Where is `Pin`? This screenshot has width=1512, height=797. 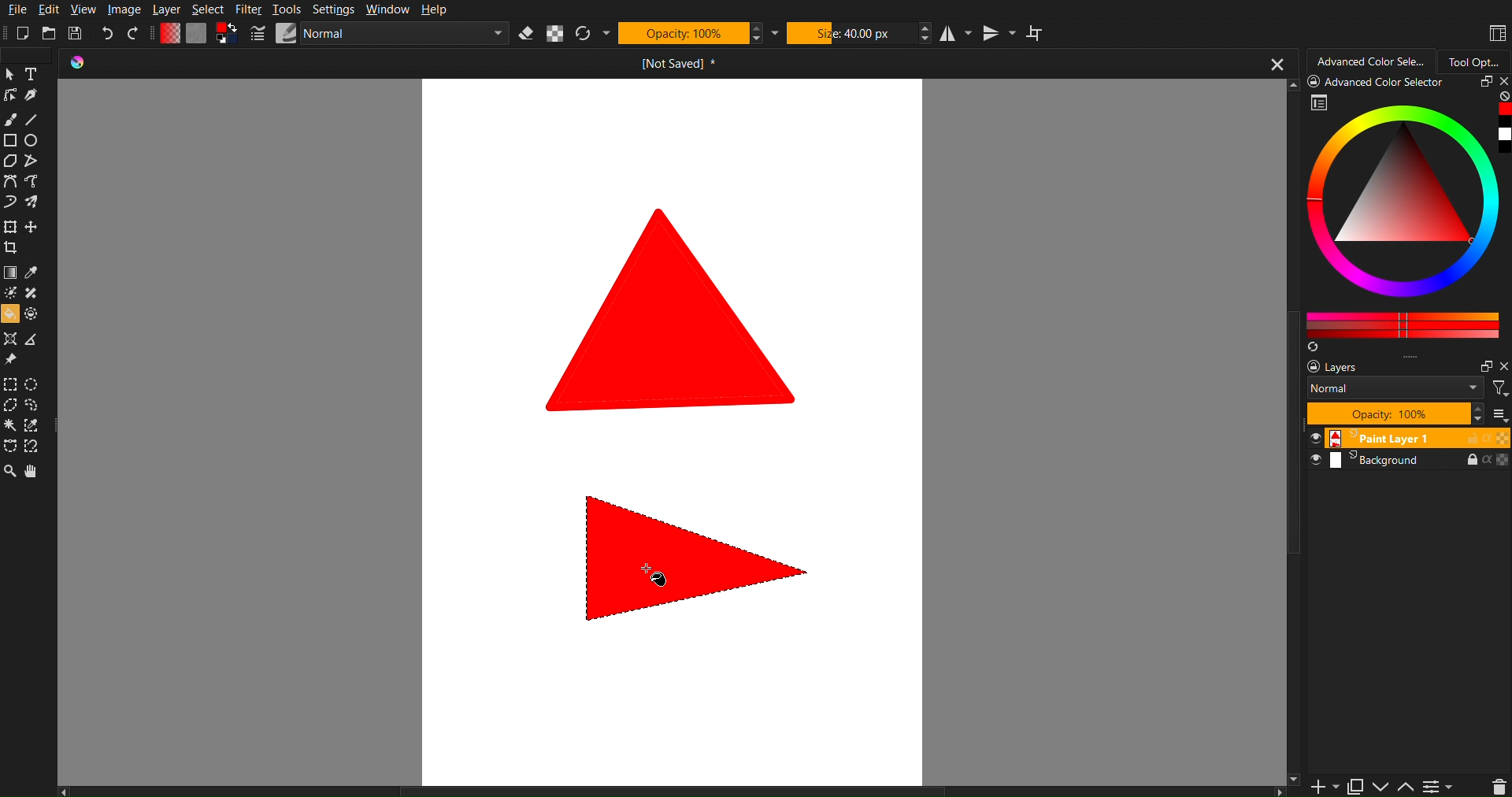 Pin is located at coordinates (9, 361).